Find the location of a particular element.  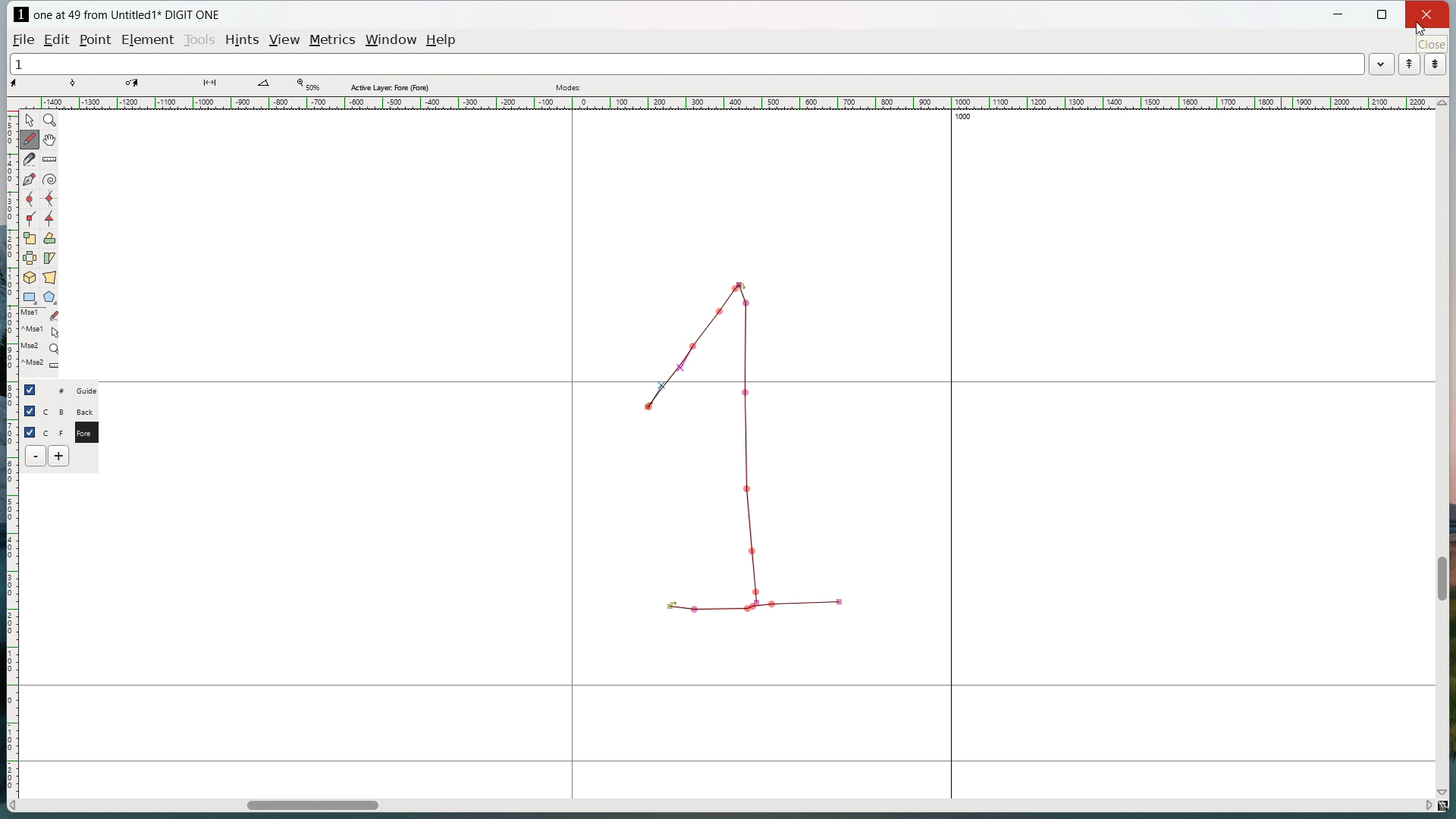

add a curve point always either vertical or horizontal is located at coordinates (49, 199).